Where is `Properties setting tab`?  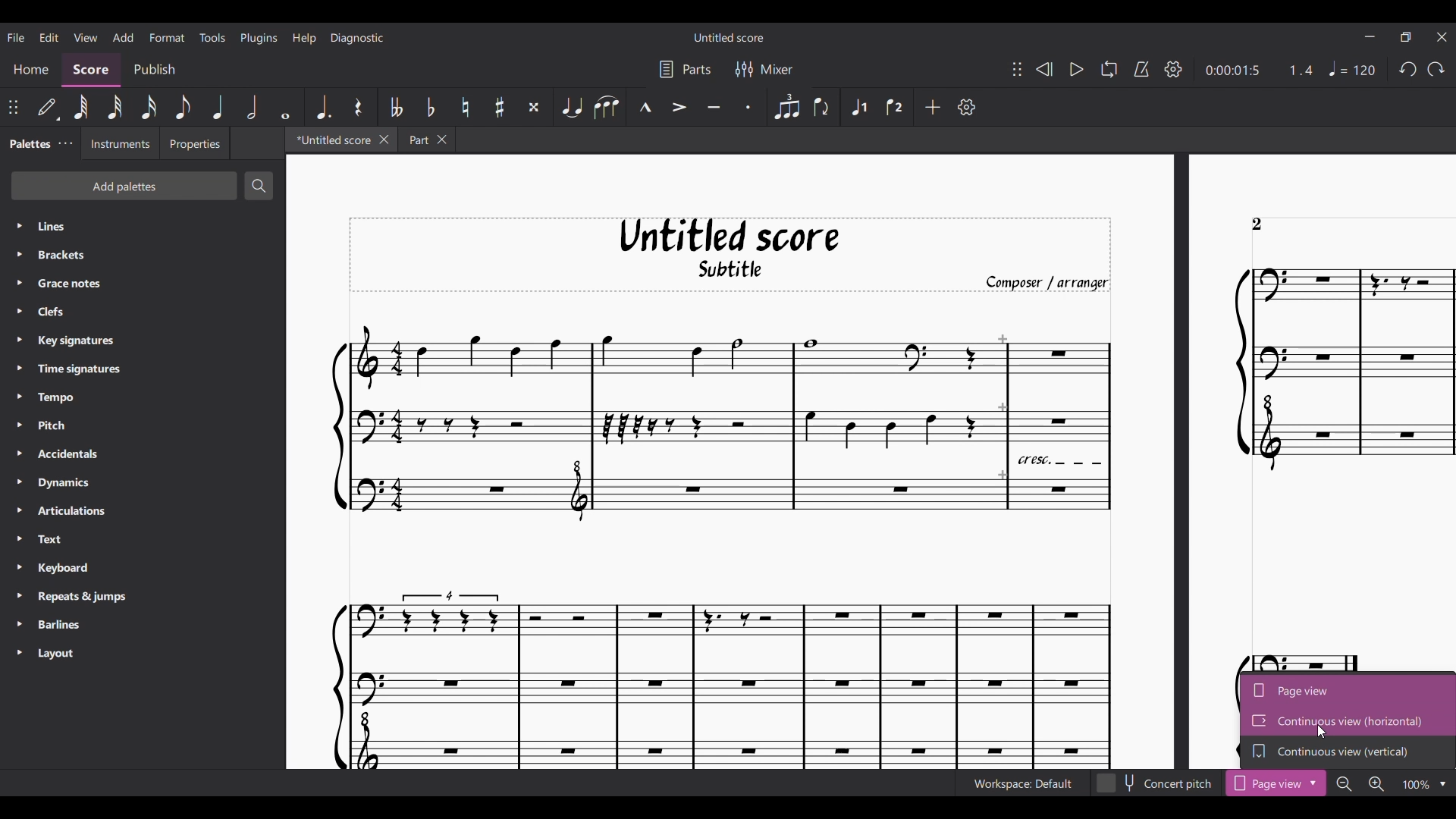
Properties setting tab is located at coordinates (194, 143).